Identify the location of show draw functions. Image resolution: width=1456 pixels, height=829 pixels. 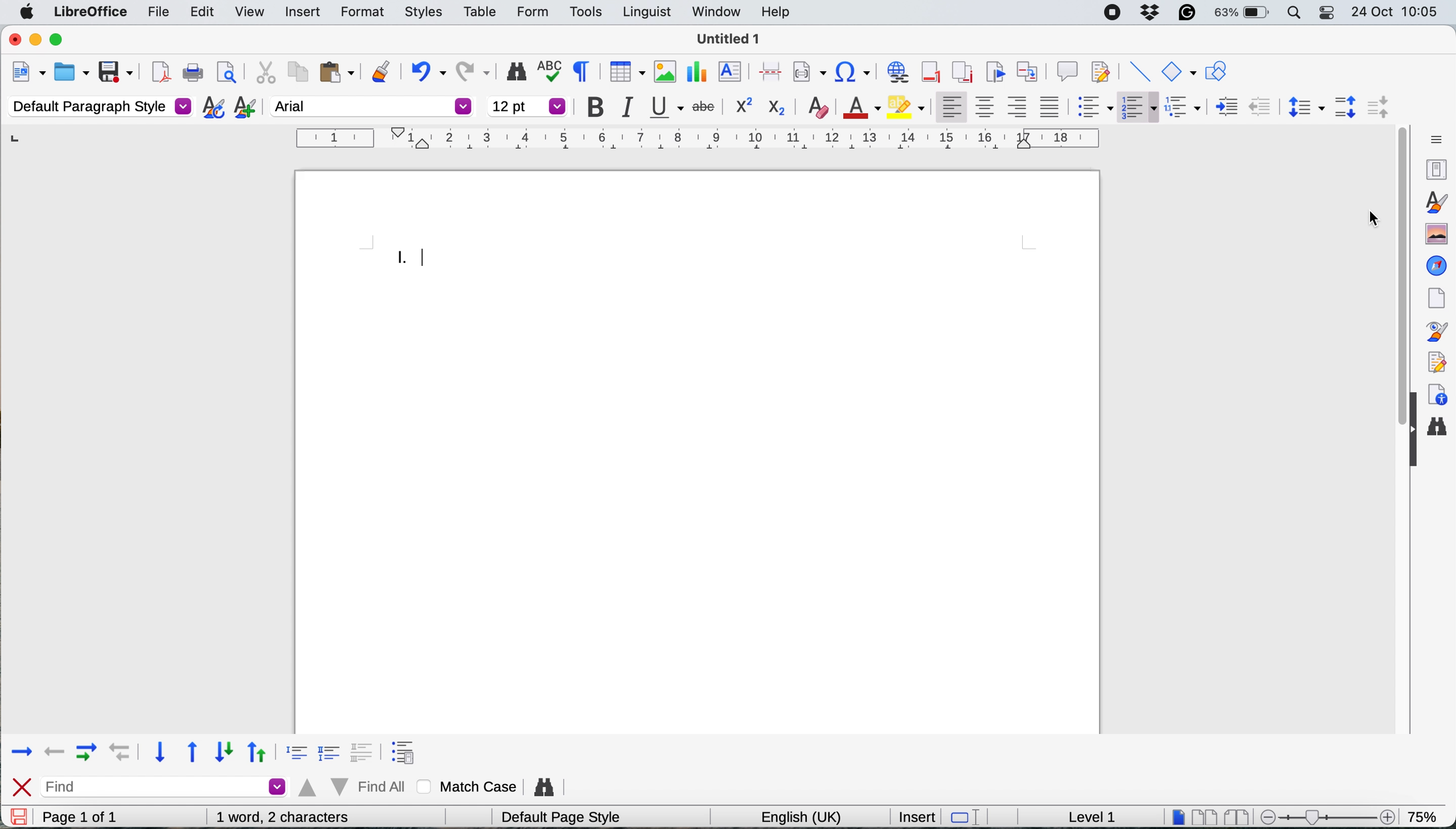
(1215, 72).